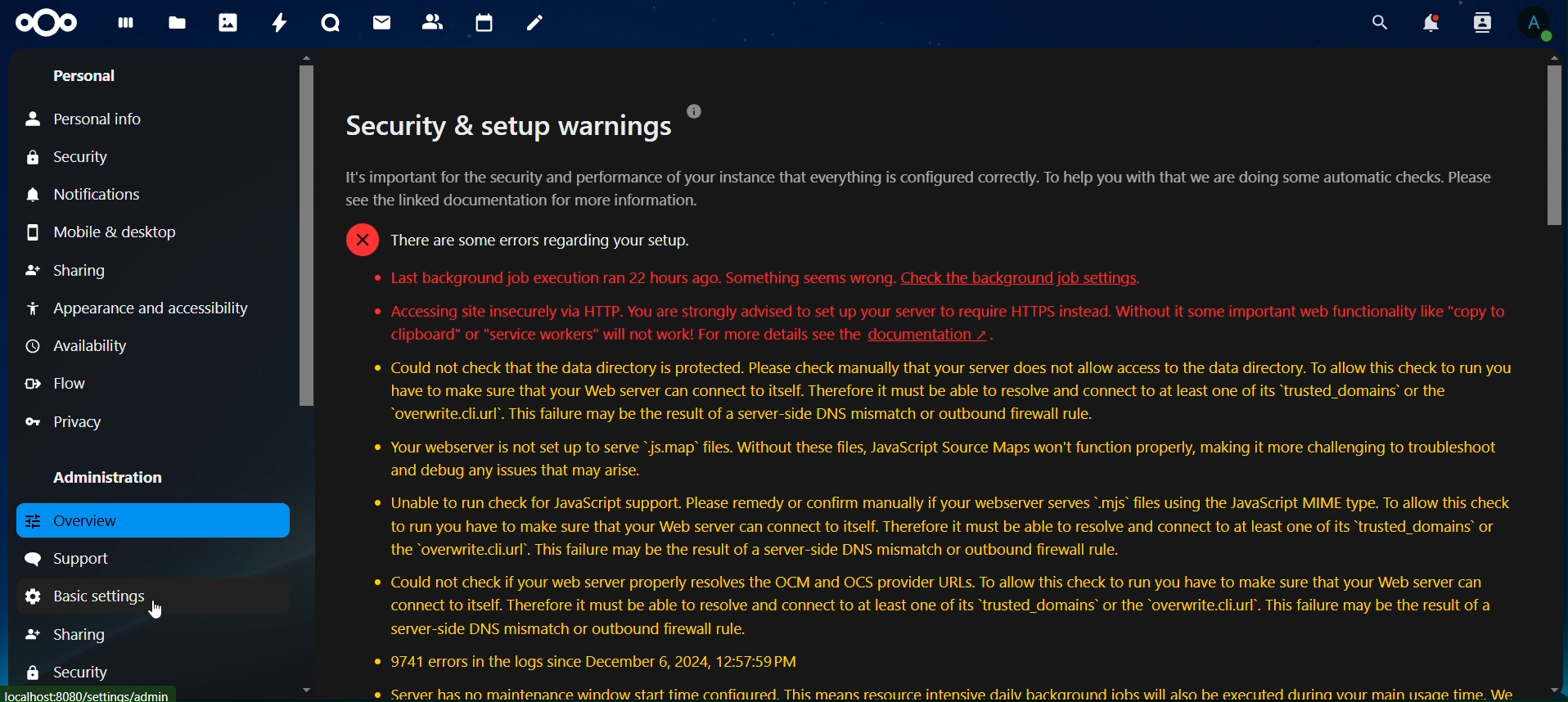 The height and width of the screenshot is (702, 1568). Describe the element at coordinates (535, 25) in the screenshot. I see `notes` at that location.